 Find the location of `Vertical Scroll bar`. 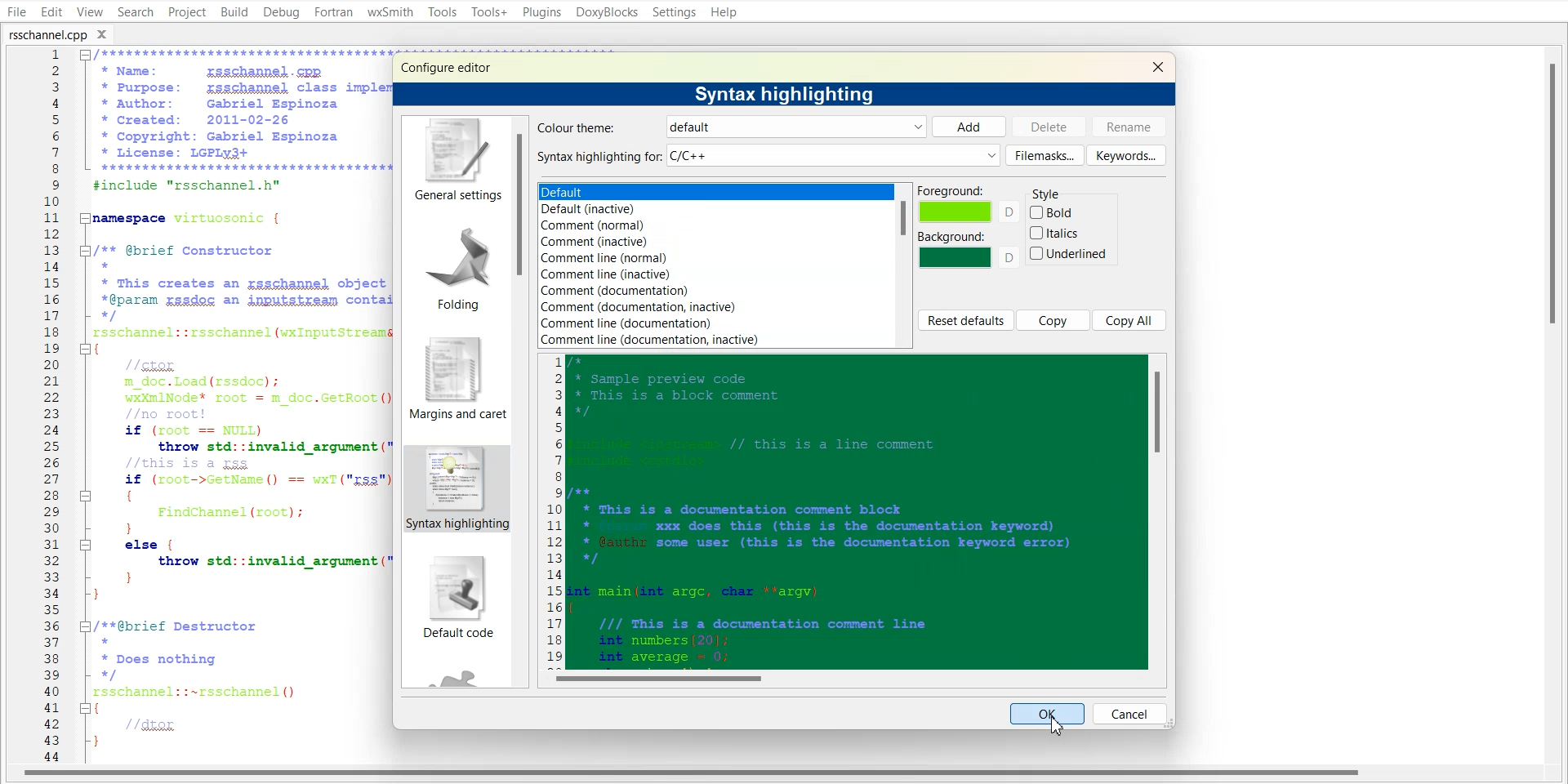

Vertical Scroll bar is located at coordinates (1558, 405).